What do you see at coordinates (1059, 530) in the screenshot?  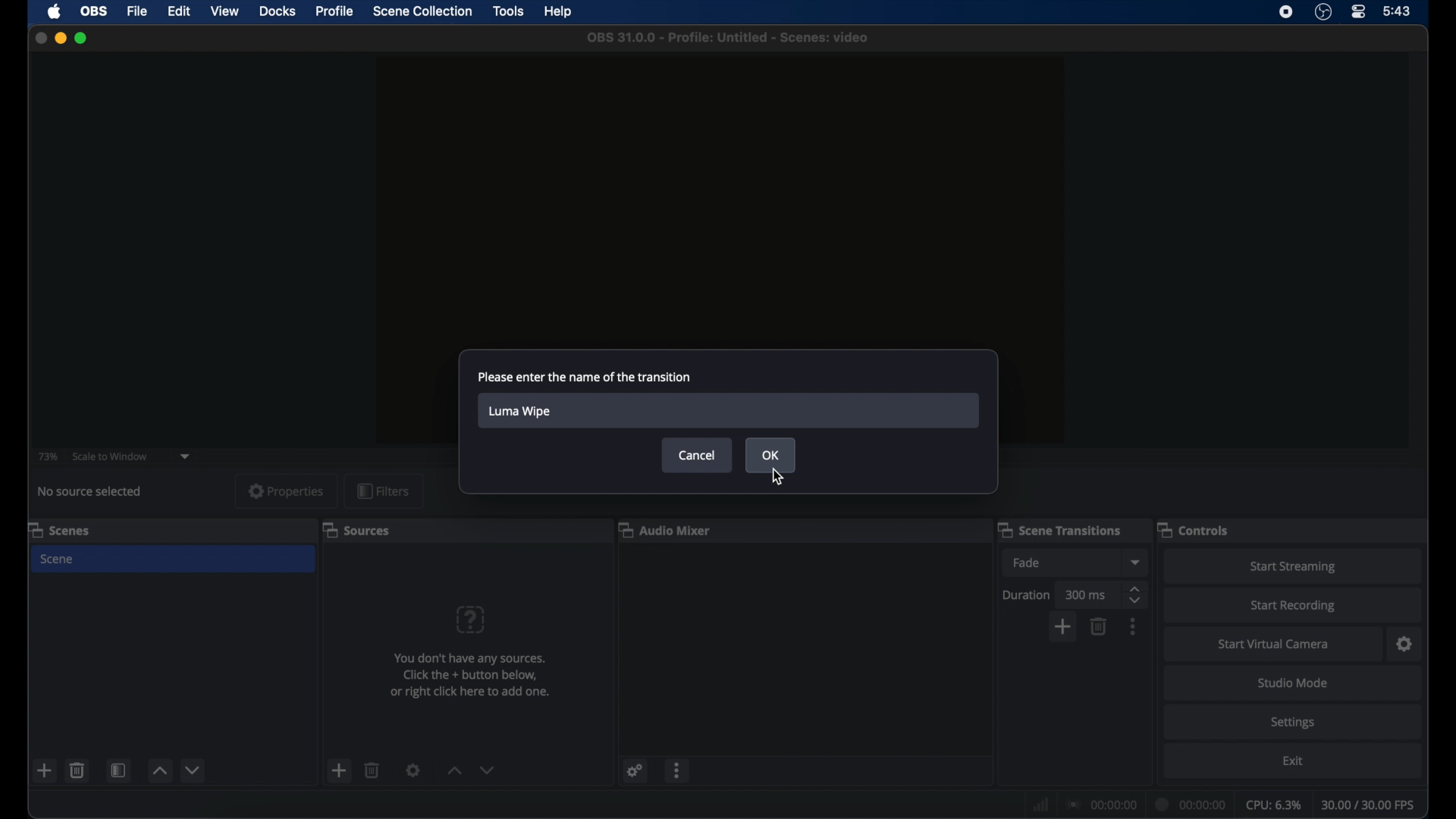 I see `scene transitions` at bounding box center [1059, 530].